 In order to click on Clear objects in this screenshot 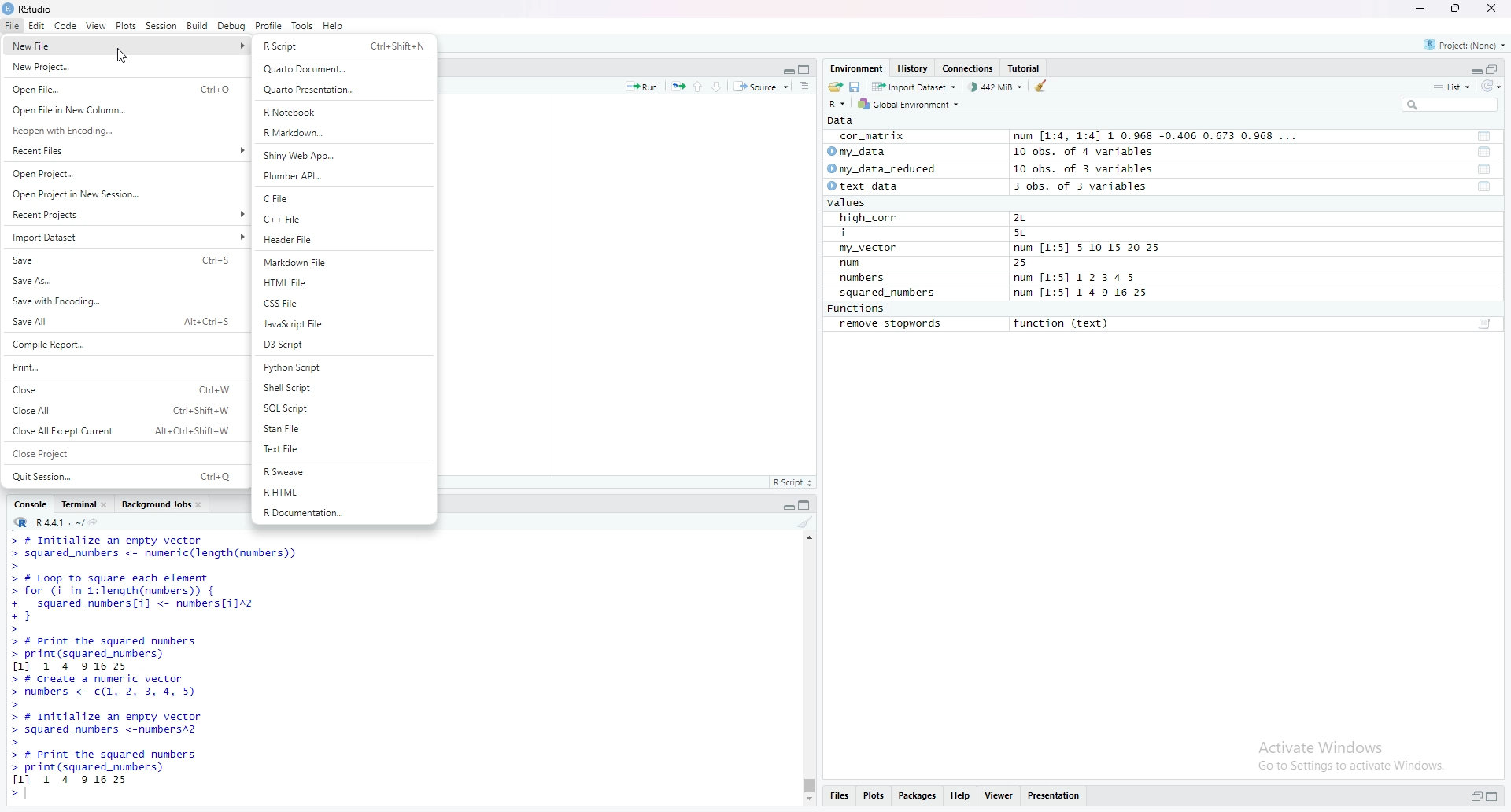, I will do `click(1044, 87)`.